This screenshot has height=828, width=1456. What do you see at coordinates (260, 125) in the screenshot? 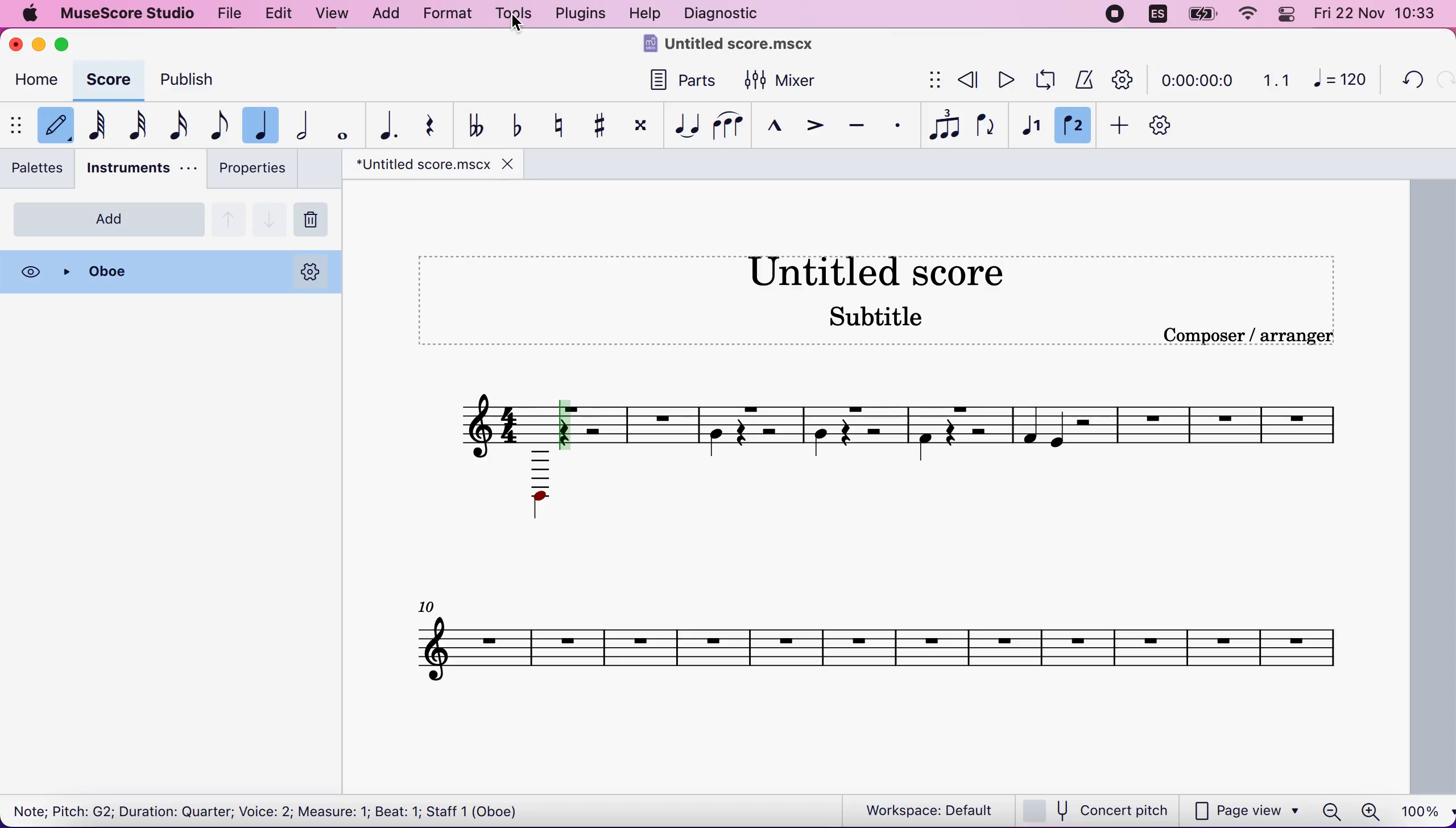
I see `quarter note` at bounding box center [260, 125].